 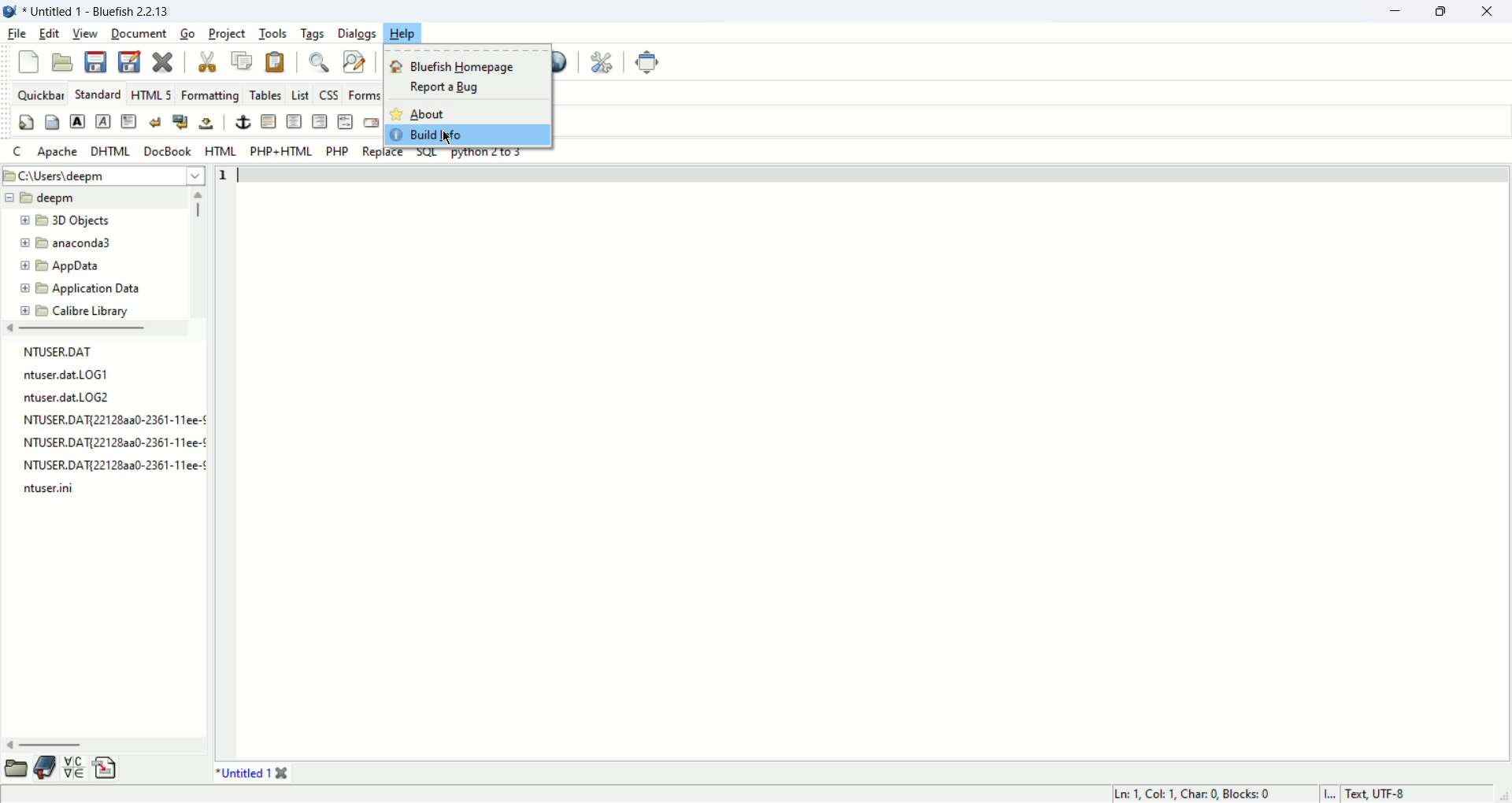 I want to click on fullscreen, so click(x=646, y=64).